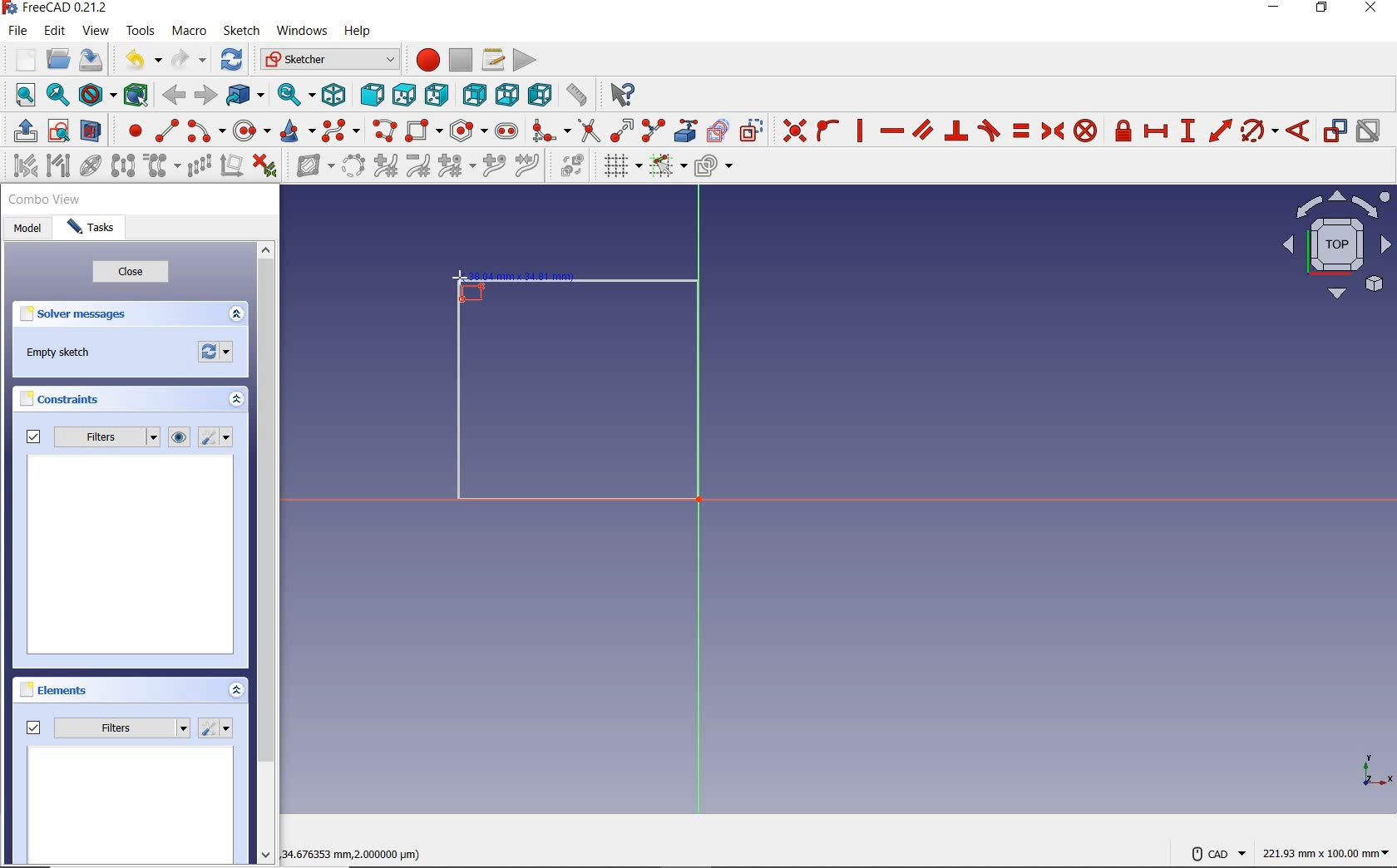 The image size is (1397, 868). I want to click on remove axes alignment, so click(231, 167).